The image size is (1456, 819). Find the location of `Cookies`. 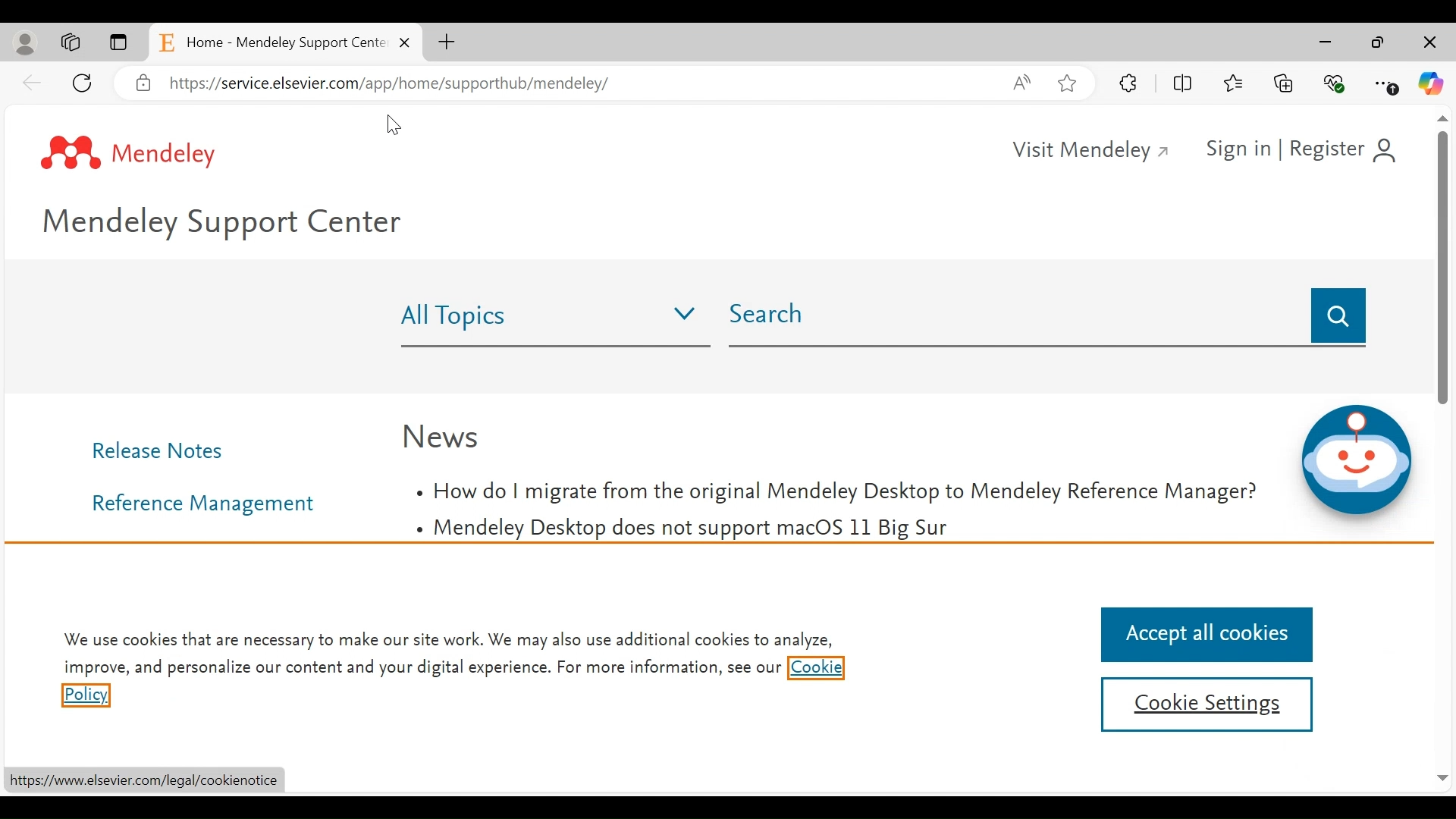

Cookies is located at coordinates (815, 670).